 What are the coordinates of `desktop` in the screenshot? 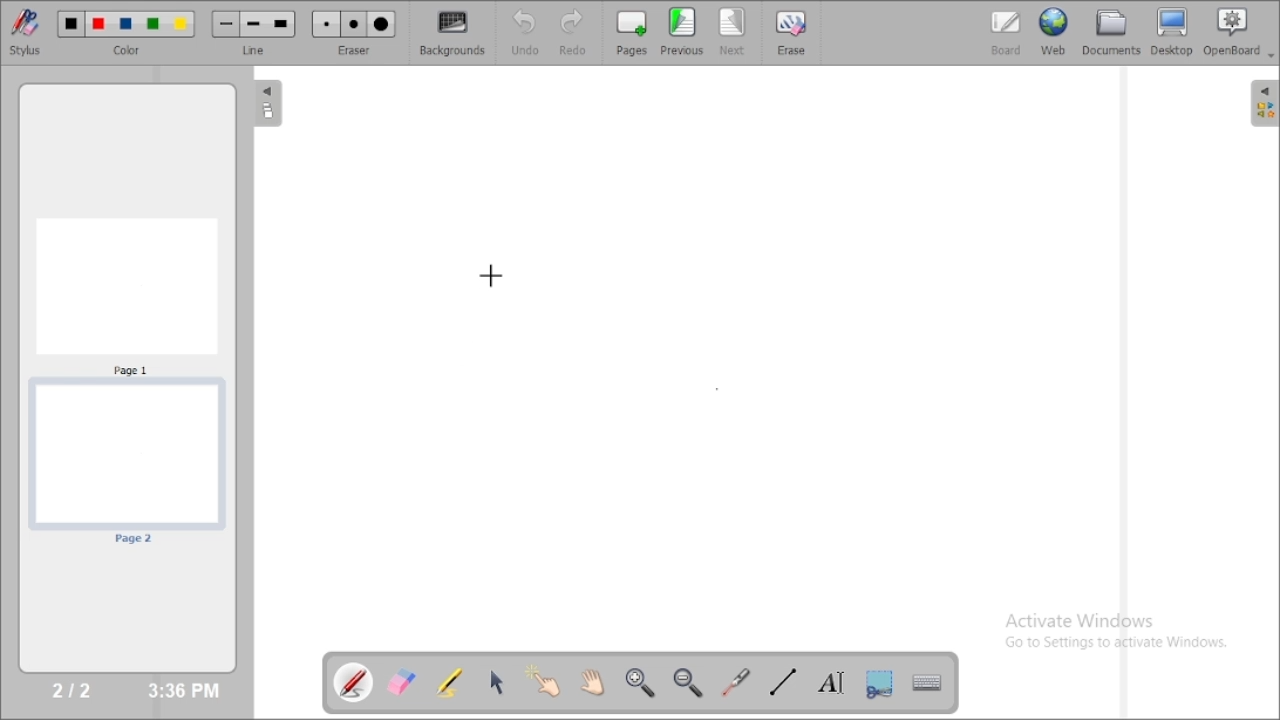 It's located at (1173, 32).